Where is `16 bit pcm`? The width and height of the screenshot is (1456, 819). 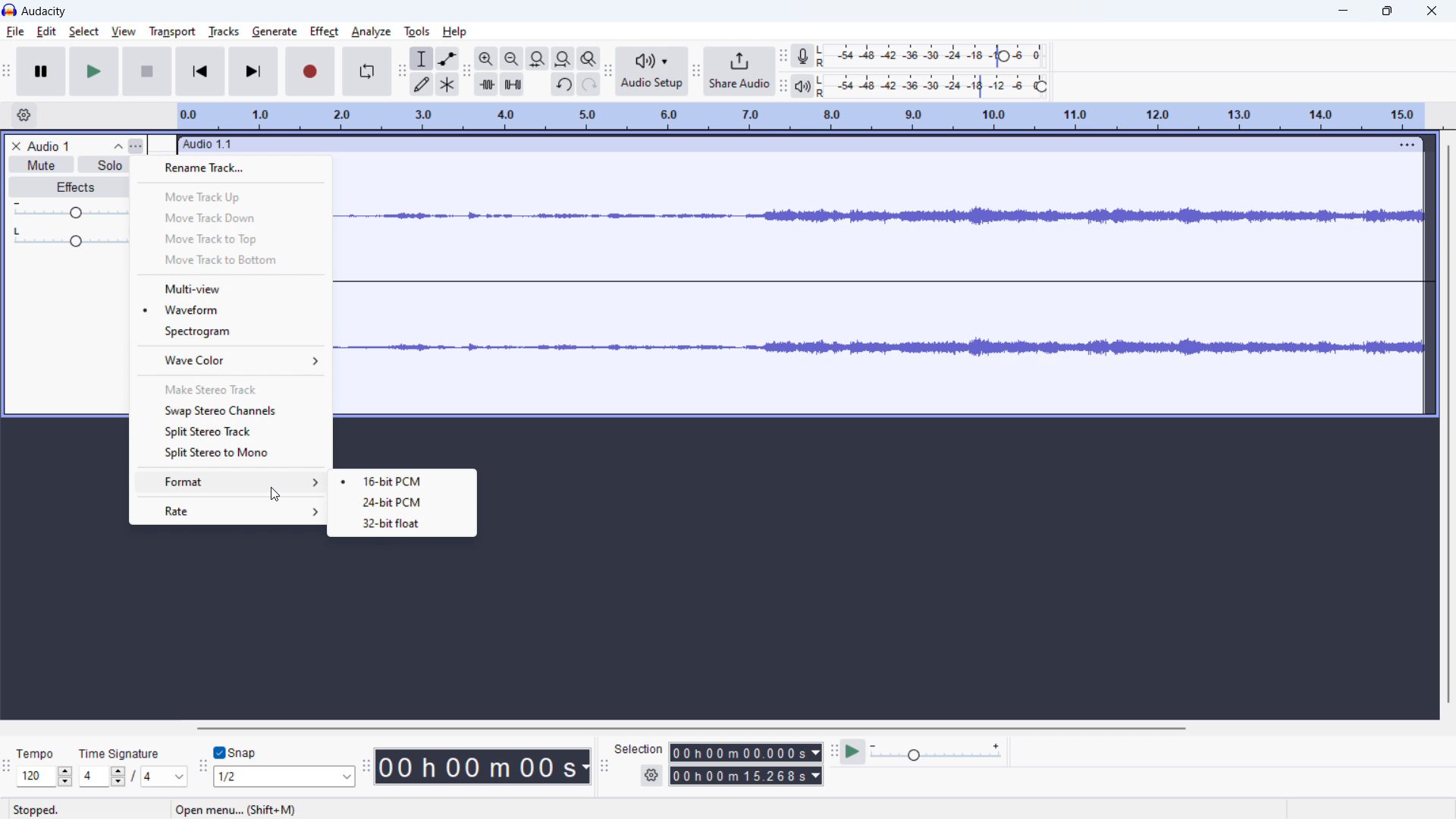 16 bit pcm is located at coordinates (402, 482).